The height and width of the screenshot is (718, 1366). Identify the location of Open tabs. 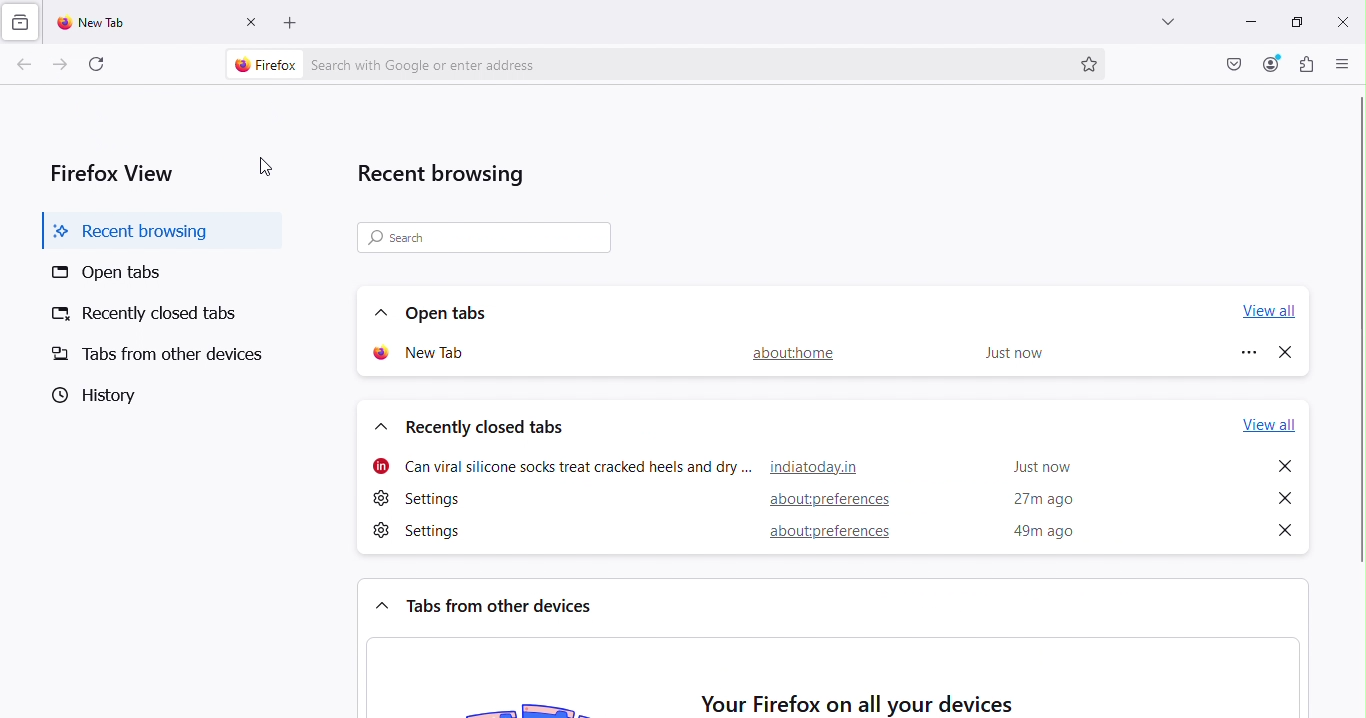
(425, 309).